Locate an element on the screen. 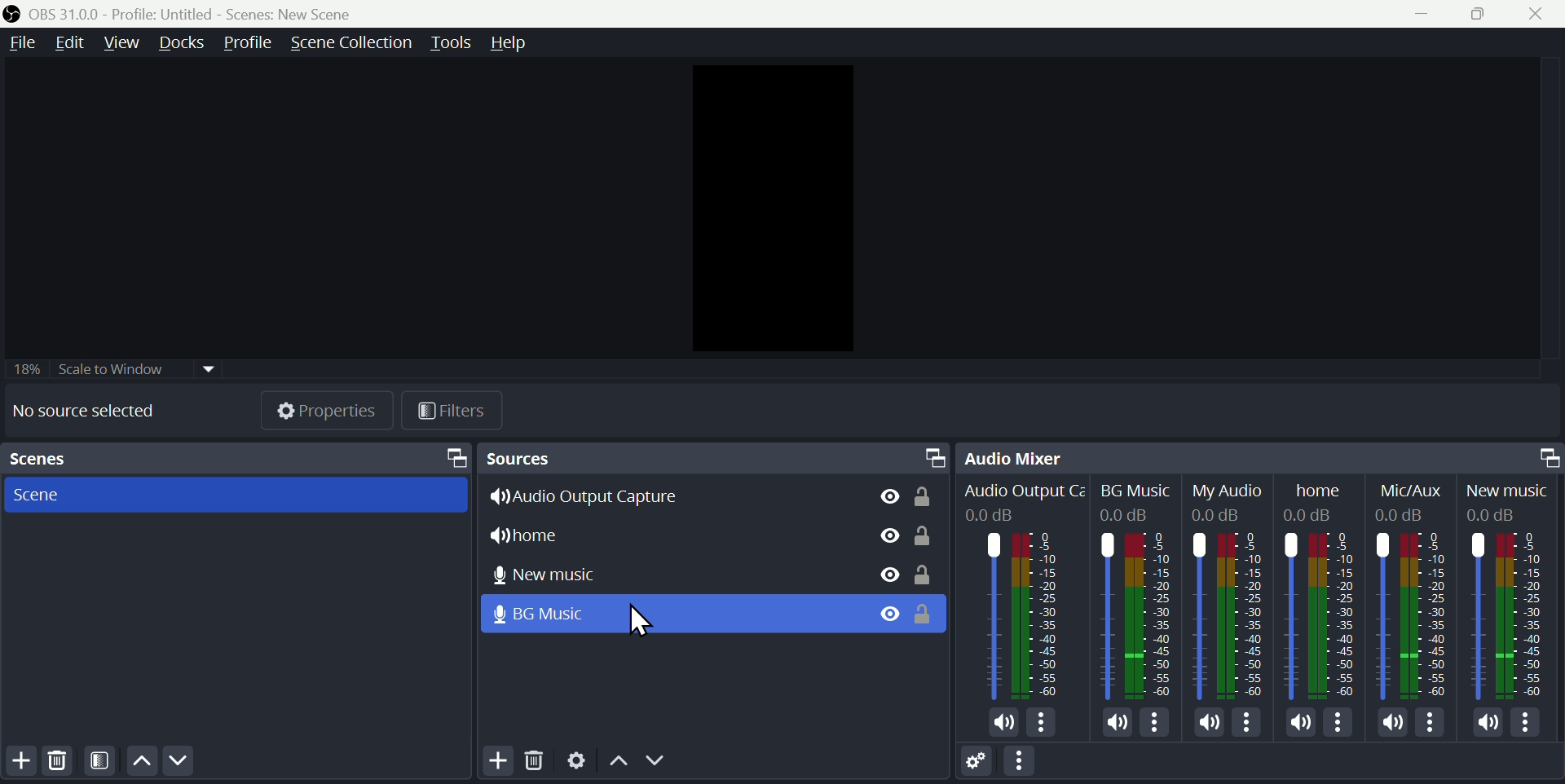 Image resolution: width=1565 pixels, height=784 pixels. Help is located at coordinates (522, 40).